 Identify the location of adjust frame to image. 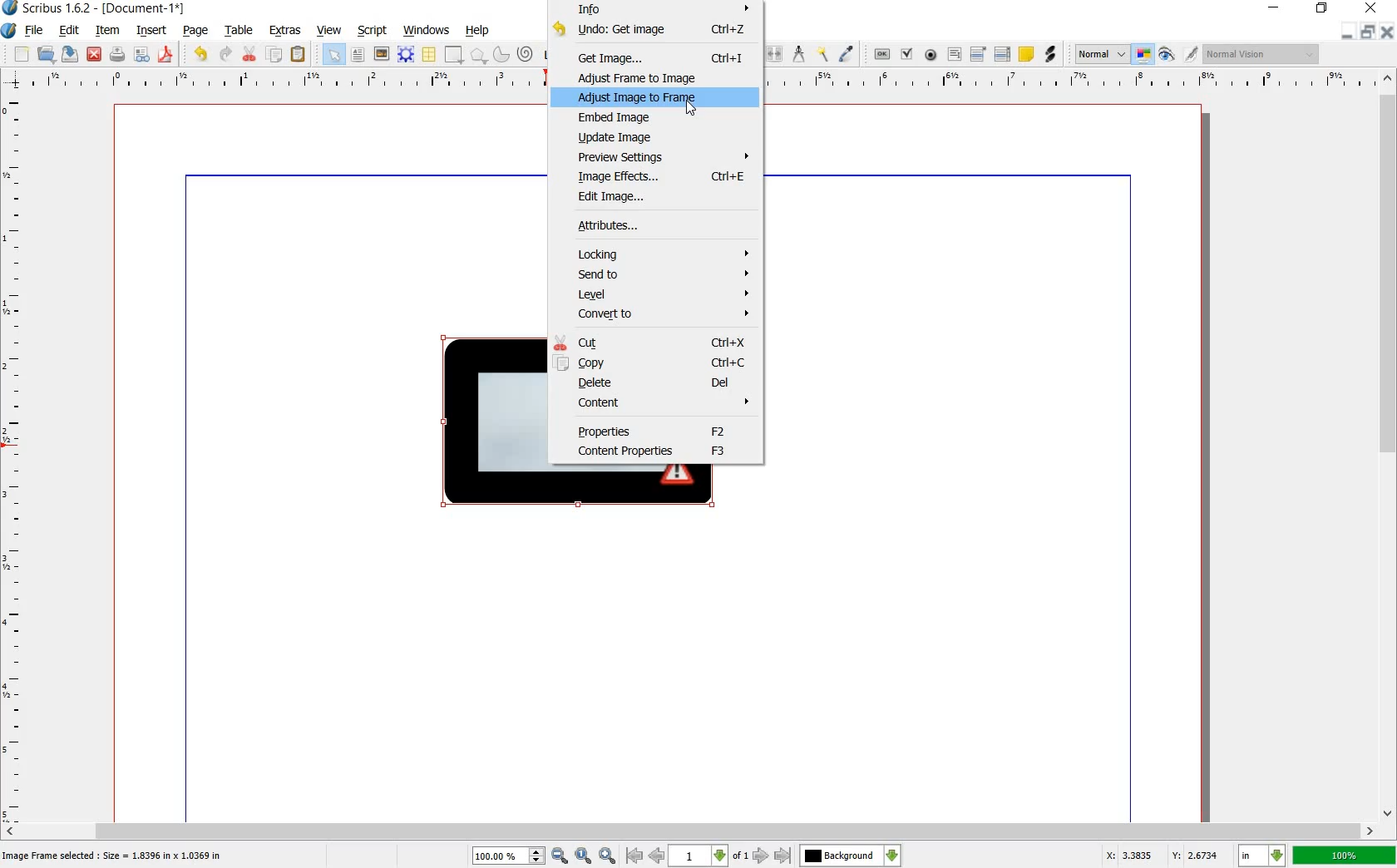
(647, 77).